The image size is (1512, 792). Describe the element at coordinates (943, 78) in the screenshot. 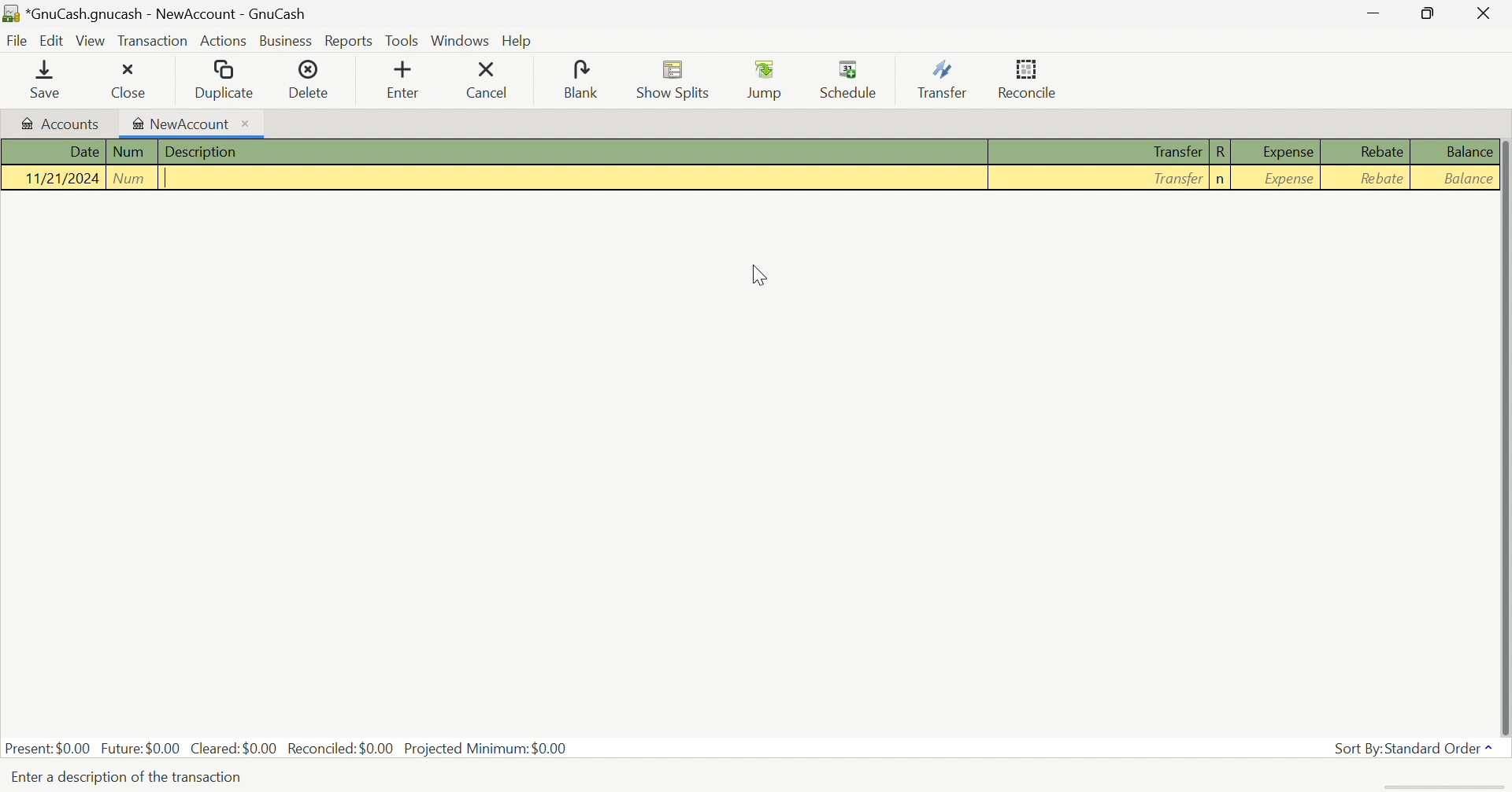

I see `Transfer` at that location.